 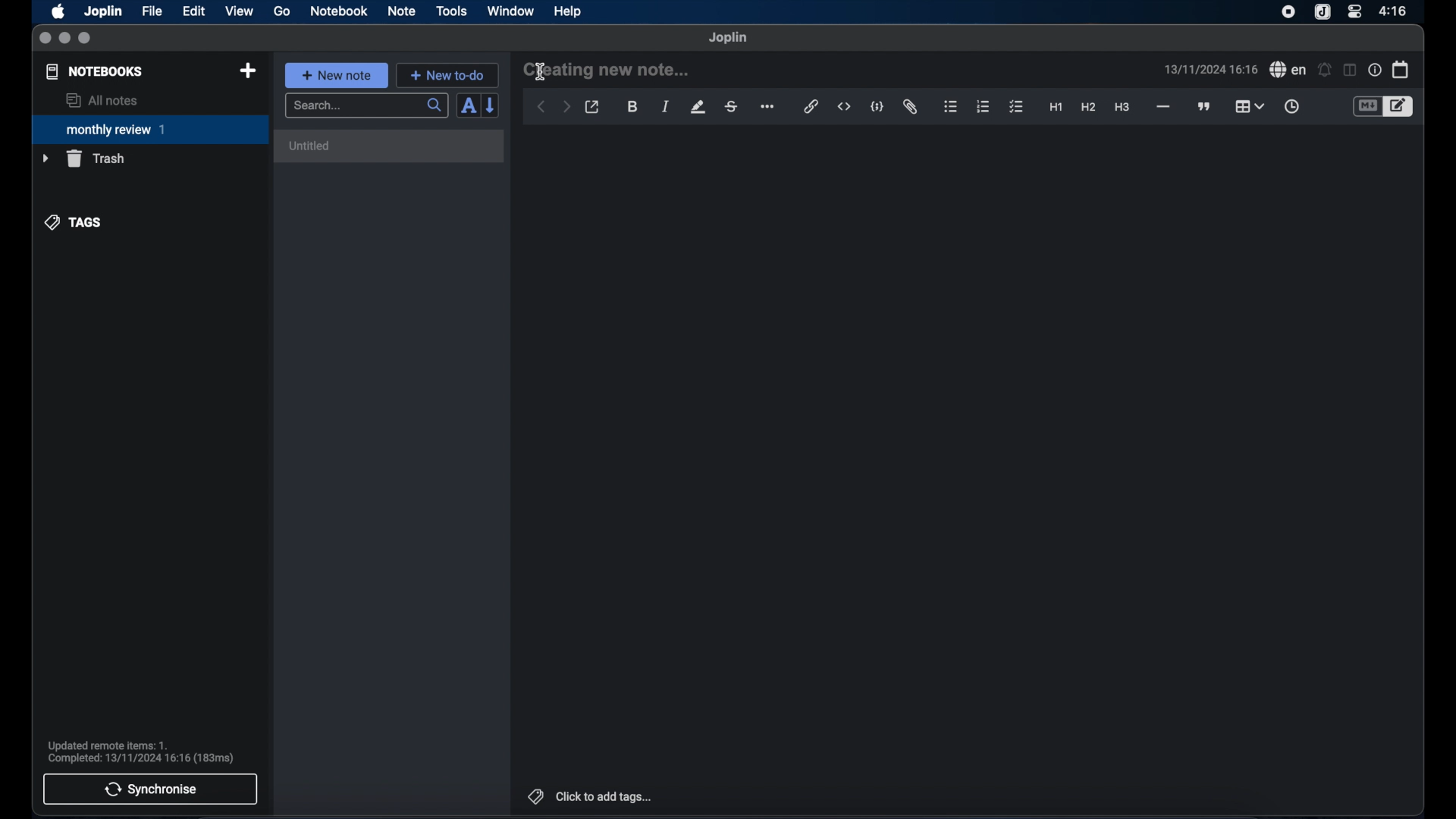 I want to click on reverse sort order, so click(x=491, y=105).